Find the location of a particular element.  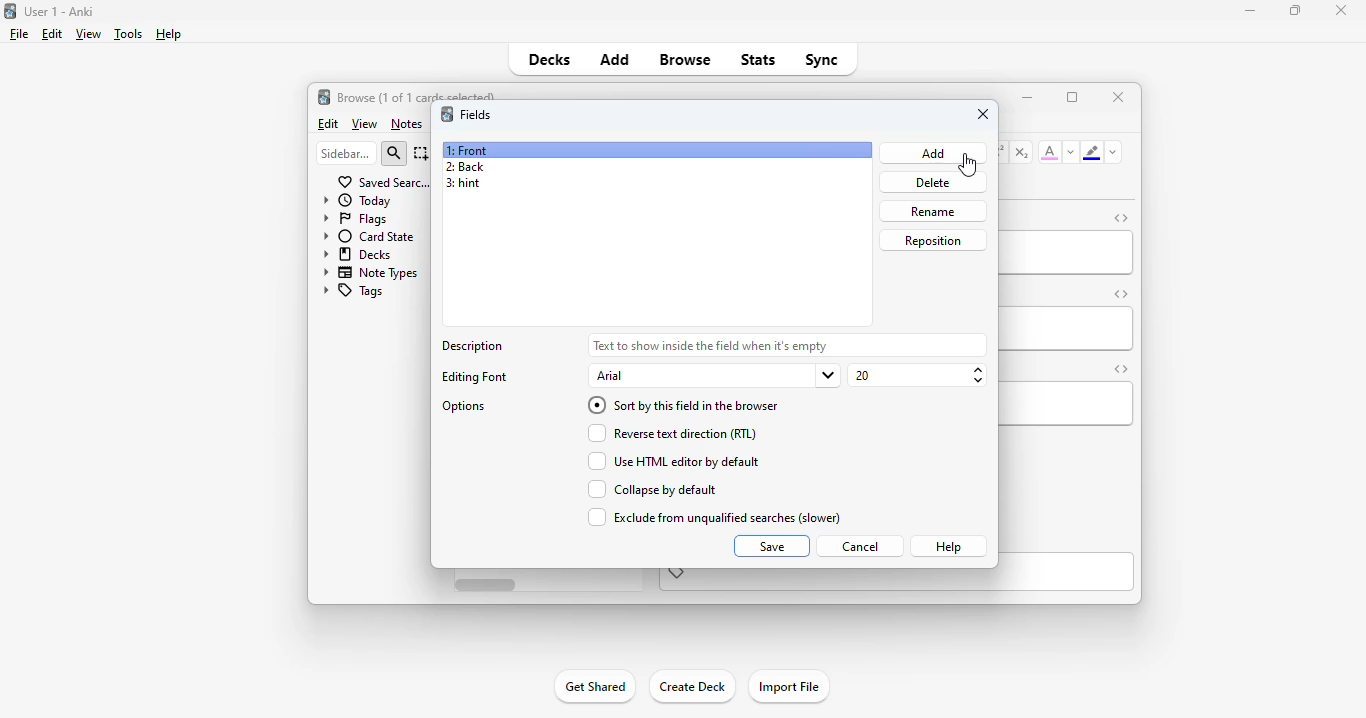

stats is located at coordinates (759, 59).